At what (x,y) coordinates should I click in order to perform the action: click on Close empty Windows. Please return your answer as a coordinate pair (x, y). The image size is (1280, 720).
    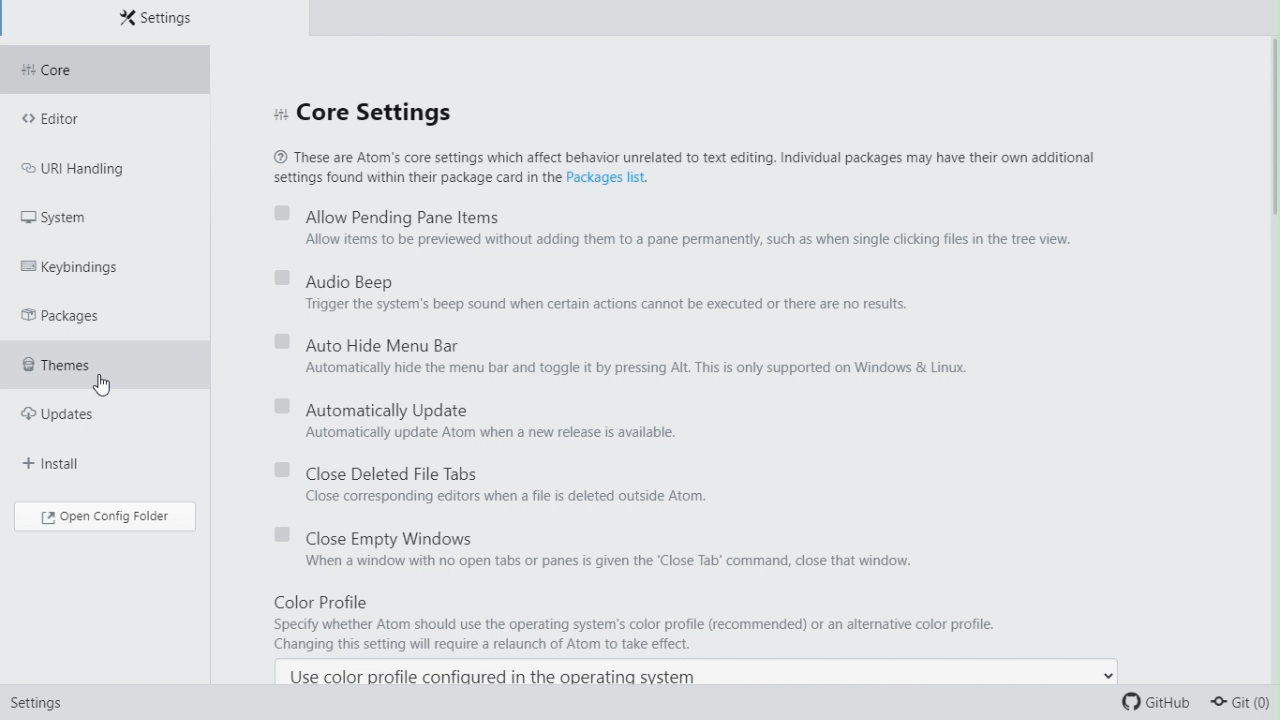
    Looking at the image, I should click on (595, 536).